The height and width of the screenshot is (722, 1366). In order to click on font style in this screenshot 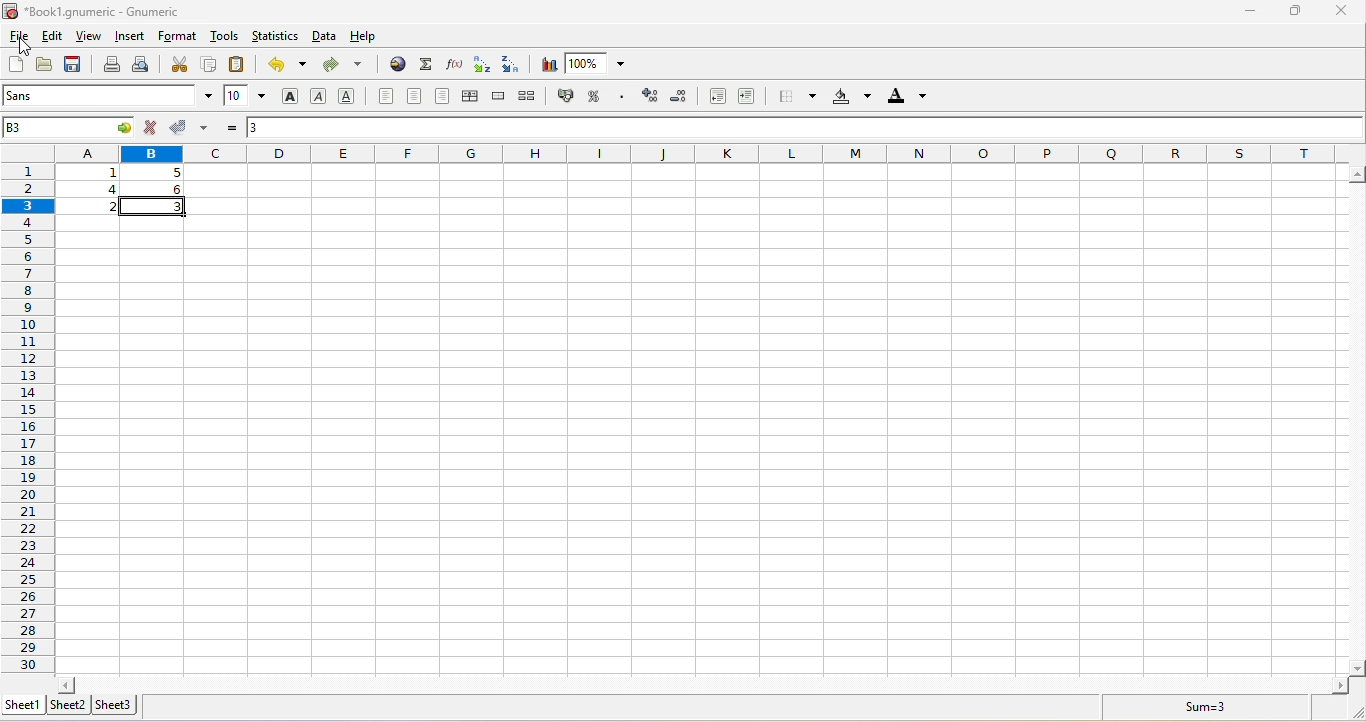, I will do `click(109, 97)`.